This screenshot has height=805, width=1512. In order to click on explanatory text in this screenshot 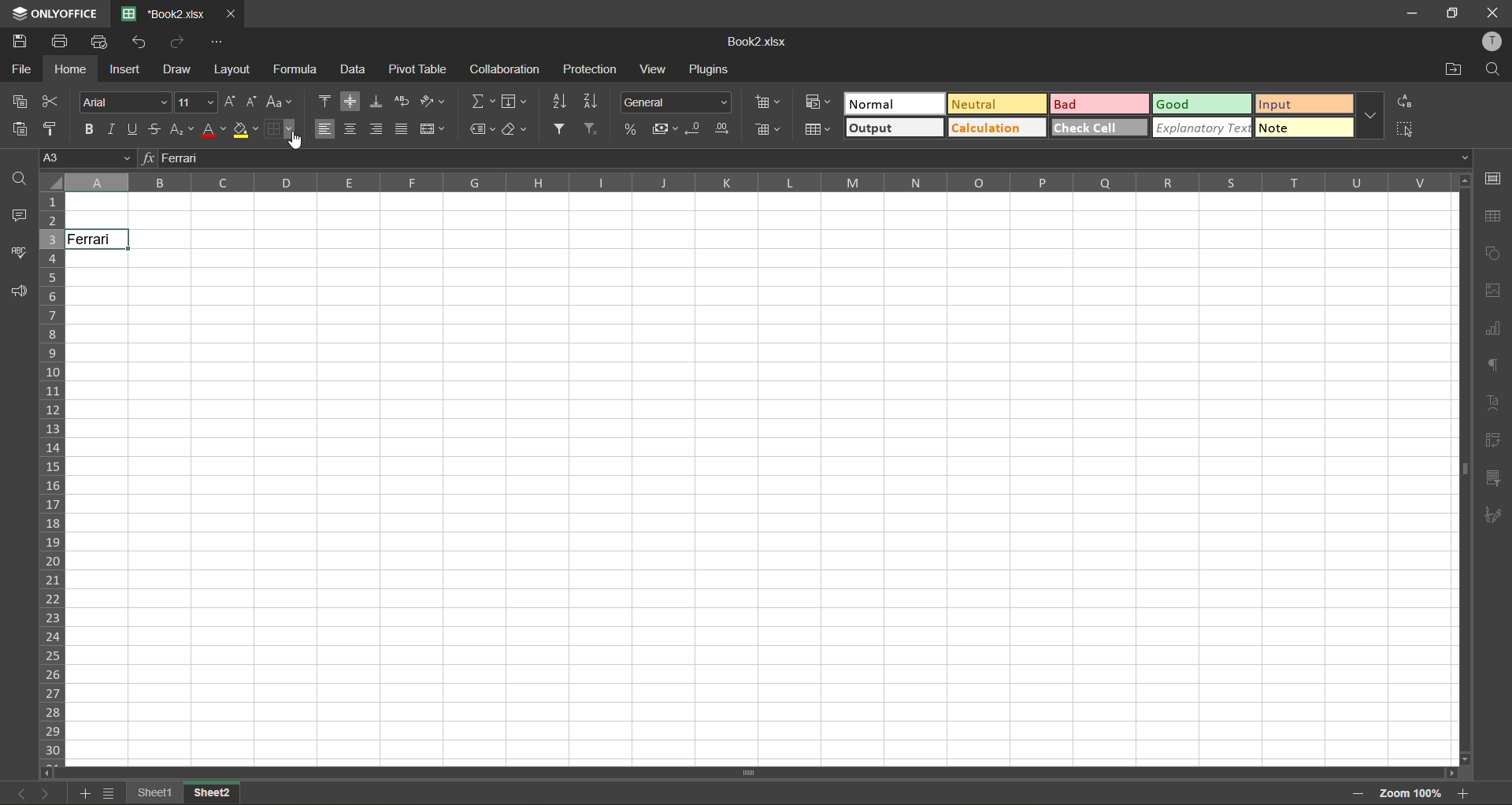, I will do `click(1203, 128)`.